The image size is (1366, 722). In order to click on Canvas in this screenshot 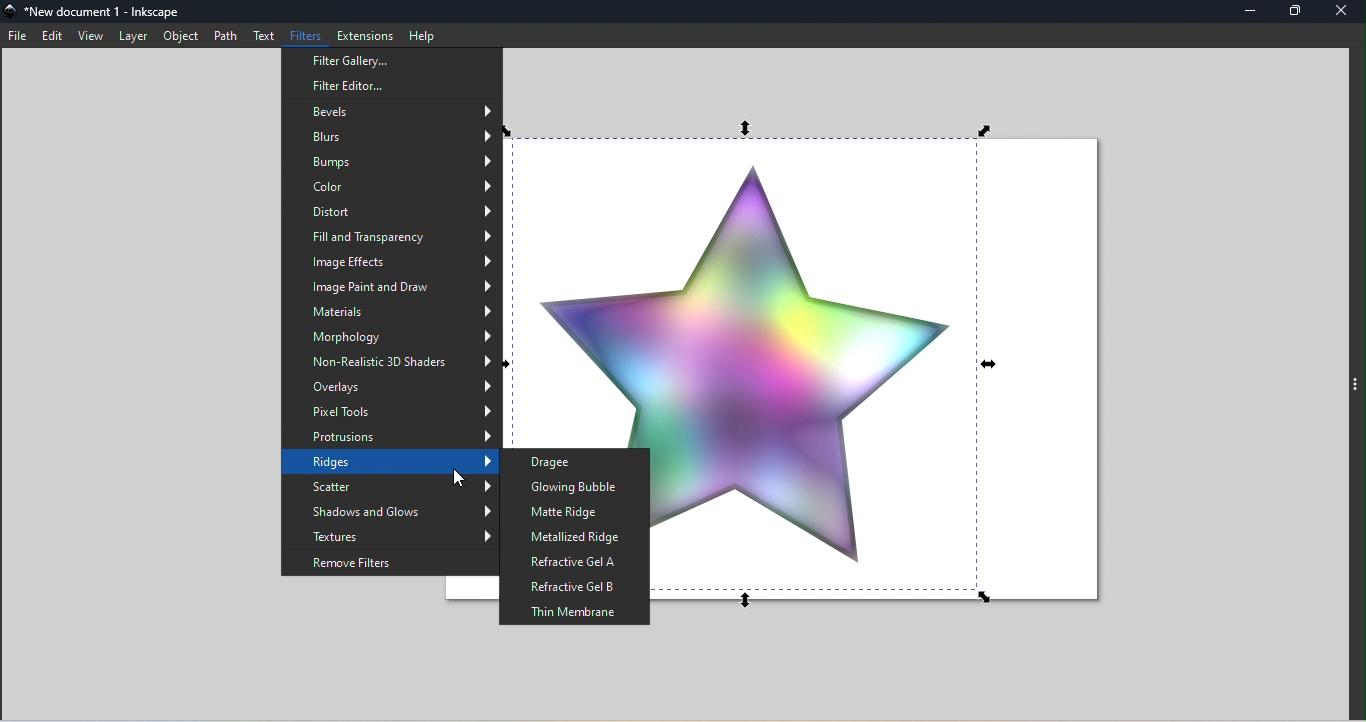, I will do `click(886, 369)`.